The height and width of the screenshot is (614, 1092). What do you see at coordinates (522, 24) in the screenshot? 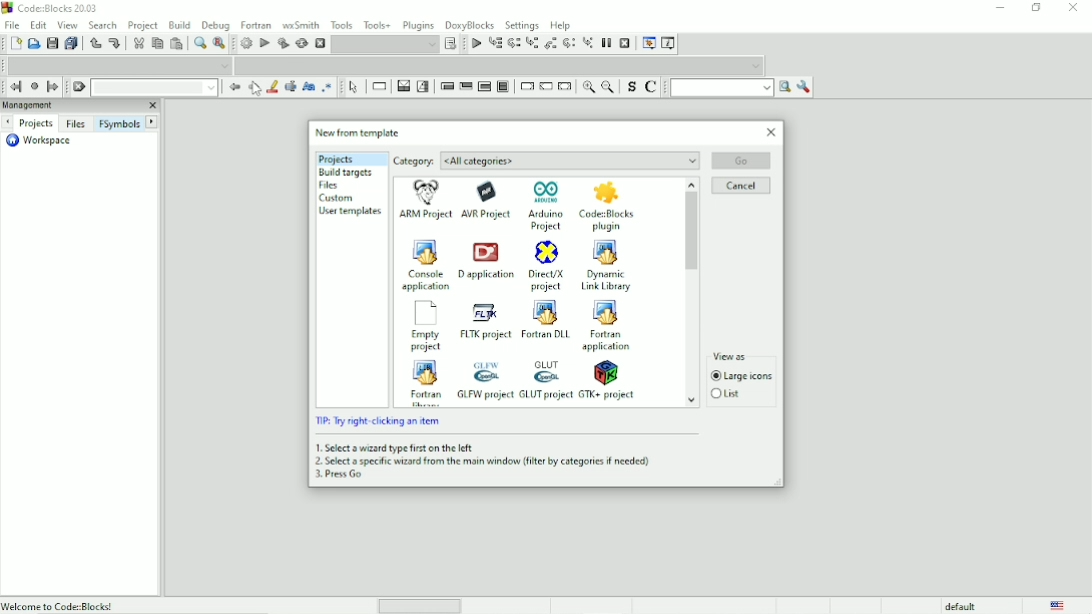
I see `Settings` at bounding box center [522, 24].